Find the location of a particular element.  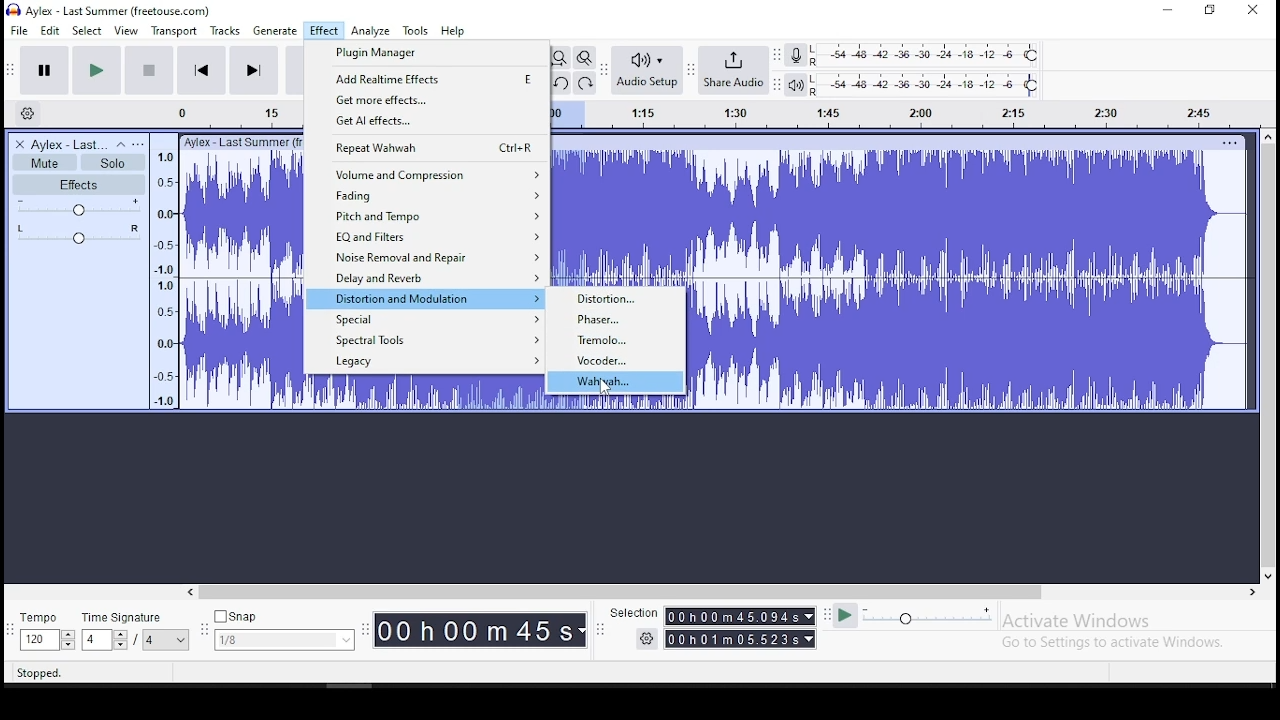

edit is located at coordinates (50, 31).